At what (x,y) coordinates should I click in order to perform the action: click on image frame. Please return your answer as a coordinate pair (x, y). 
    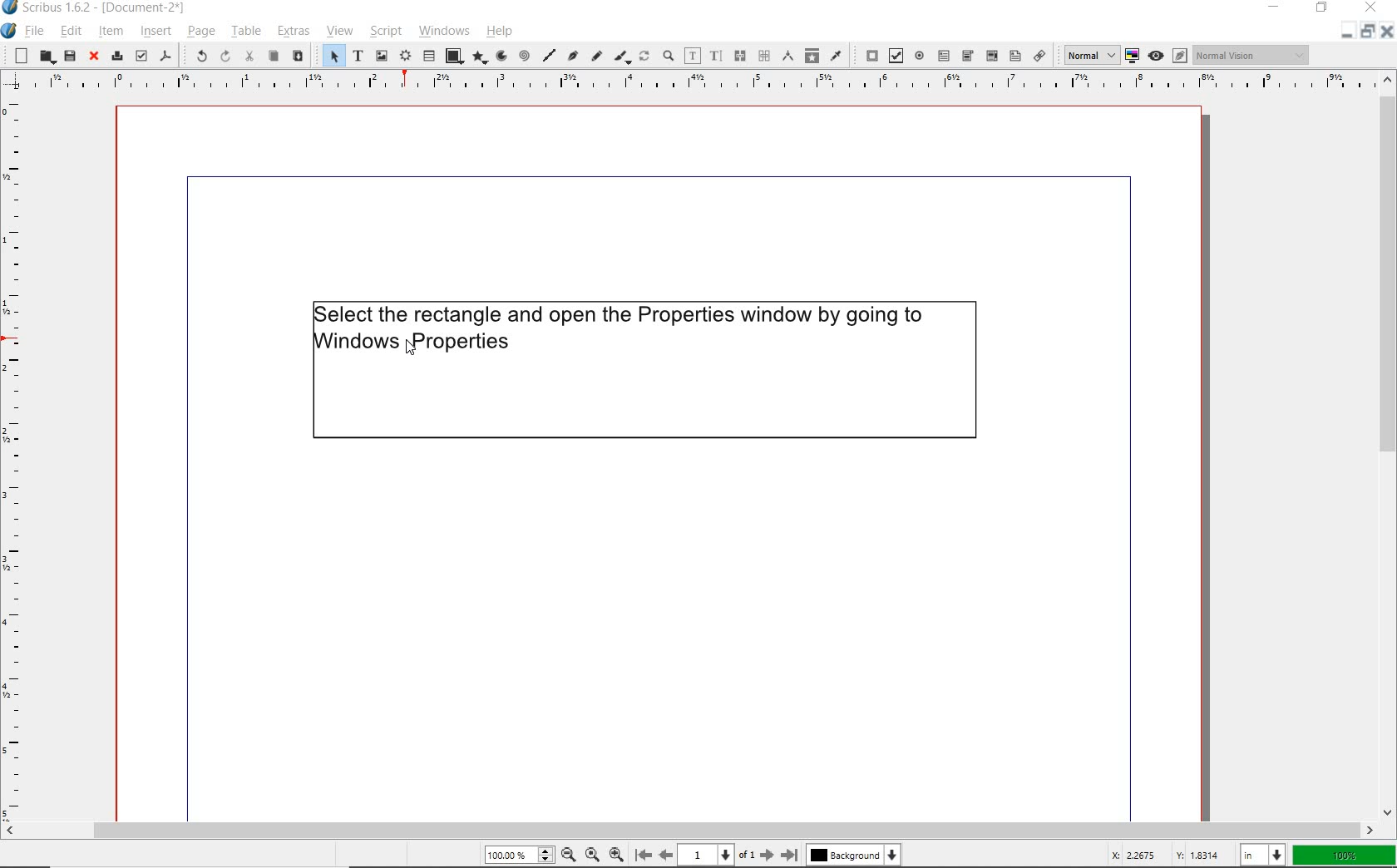
    Looking at the image, I should click on (381, 57).